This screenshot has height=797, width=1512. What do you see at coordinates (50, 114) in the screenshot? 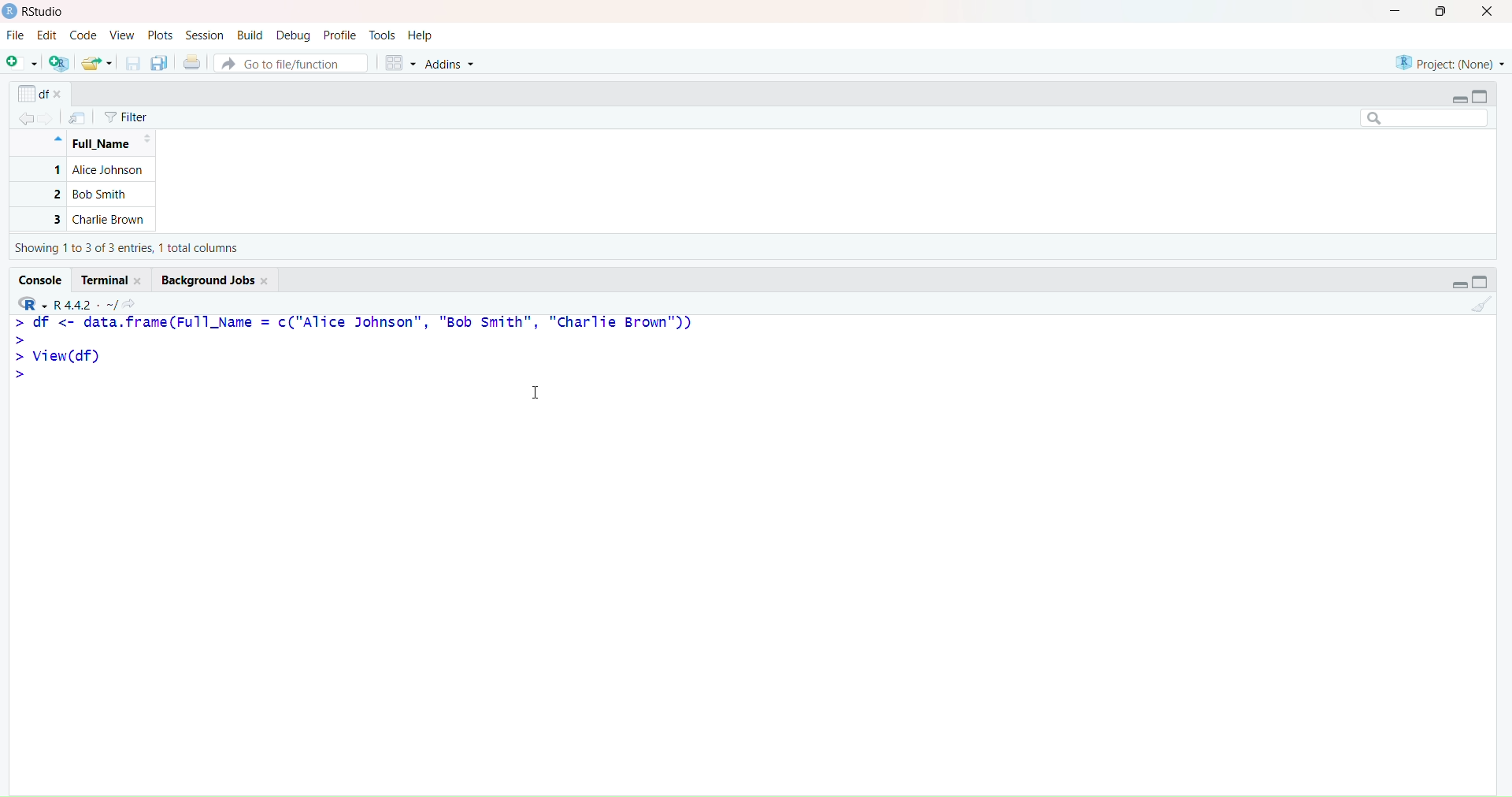
I see `Go forward to the next source location (Ctrl + F10)` at bounding box center [50, 114].